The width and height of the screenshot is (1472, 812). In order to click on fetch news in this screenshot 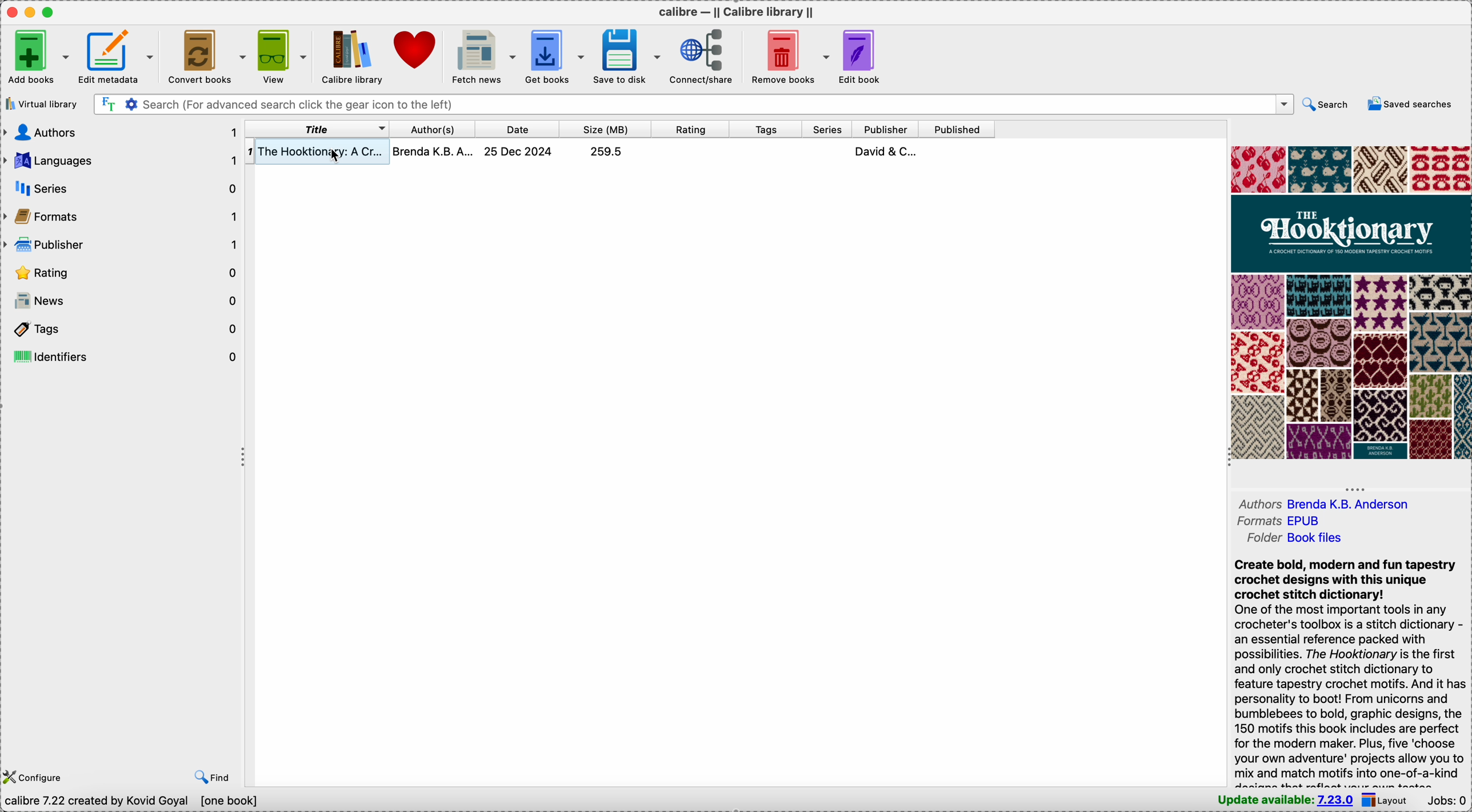, I will do `click(481, 56)`.